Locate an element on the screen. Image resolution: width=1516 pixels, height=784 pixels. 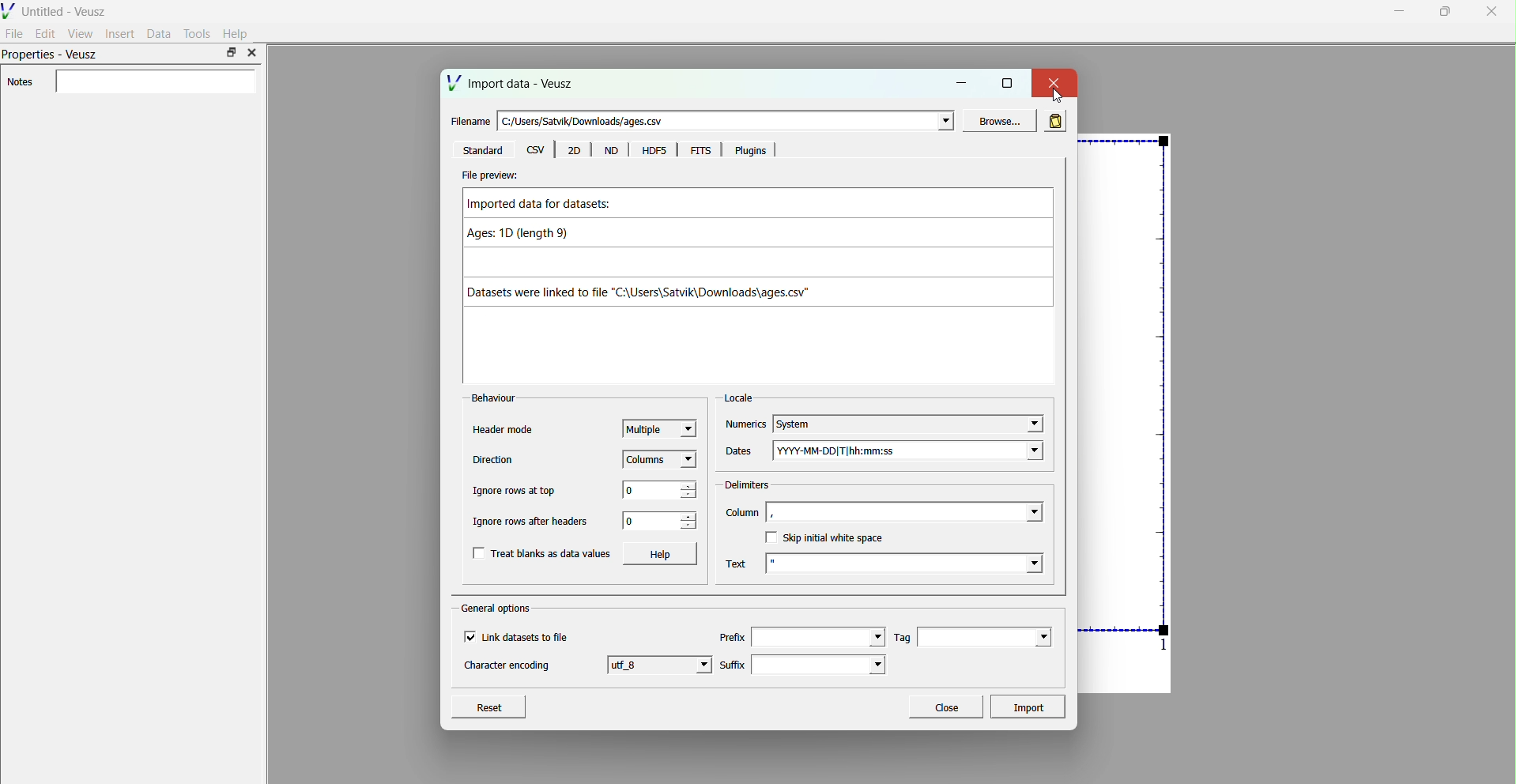
enter file name field is located at coordinates (728, 122).